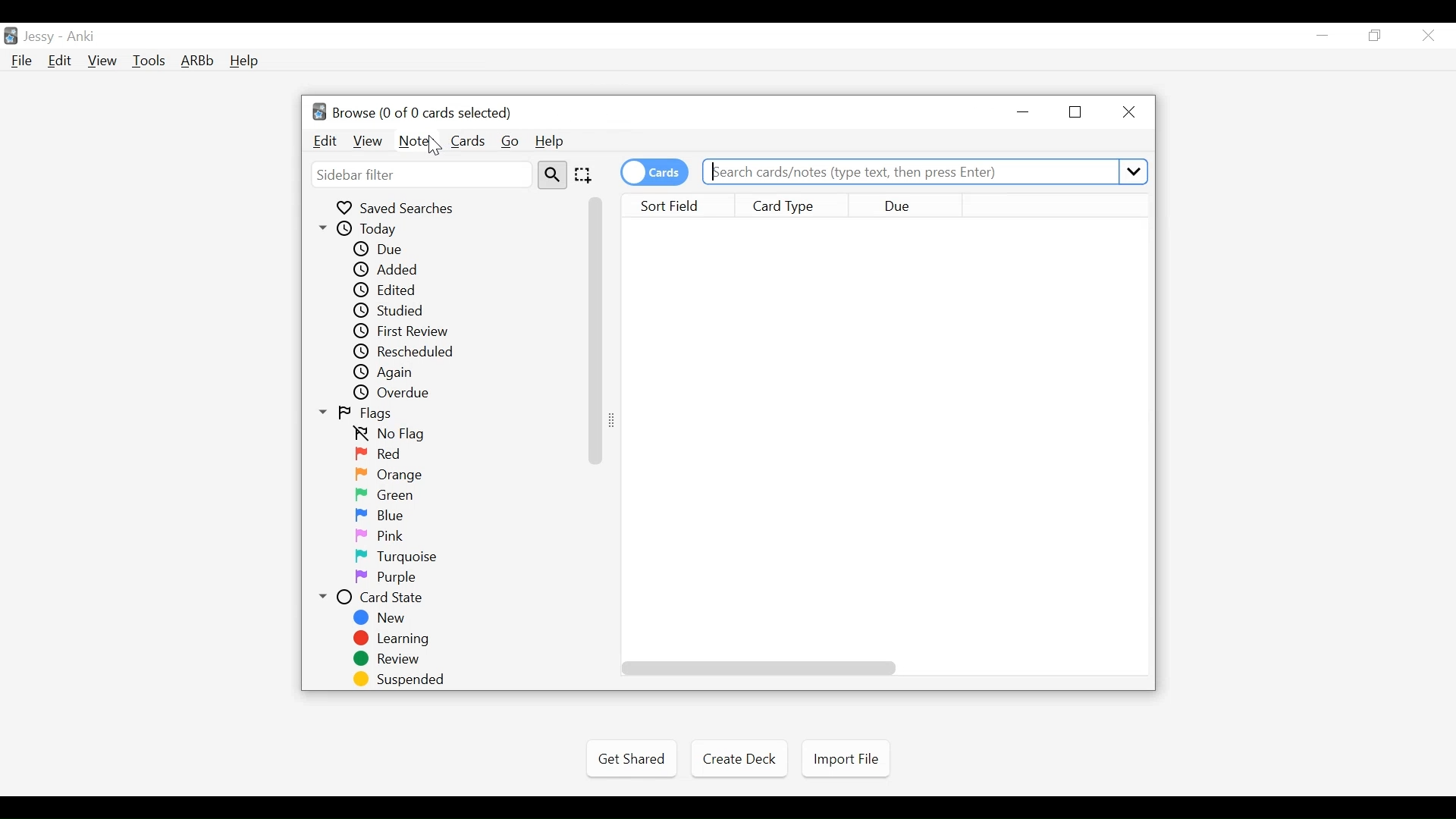 The height and width of the screenshot is (819, 1456). Describe the element at coordinates (422, 113) in the screenshot. I see `Browse (number out of cards selected)` at that location.